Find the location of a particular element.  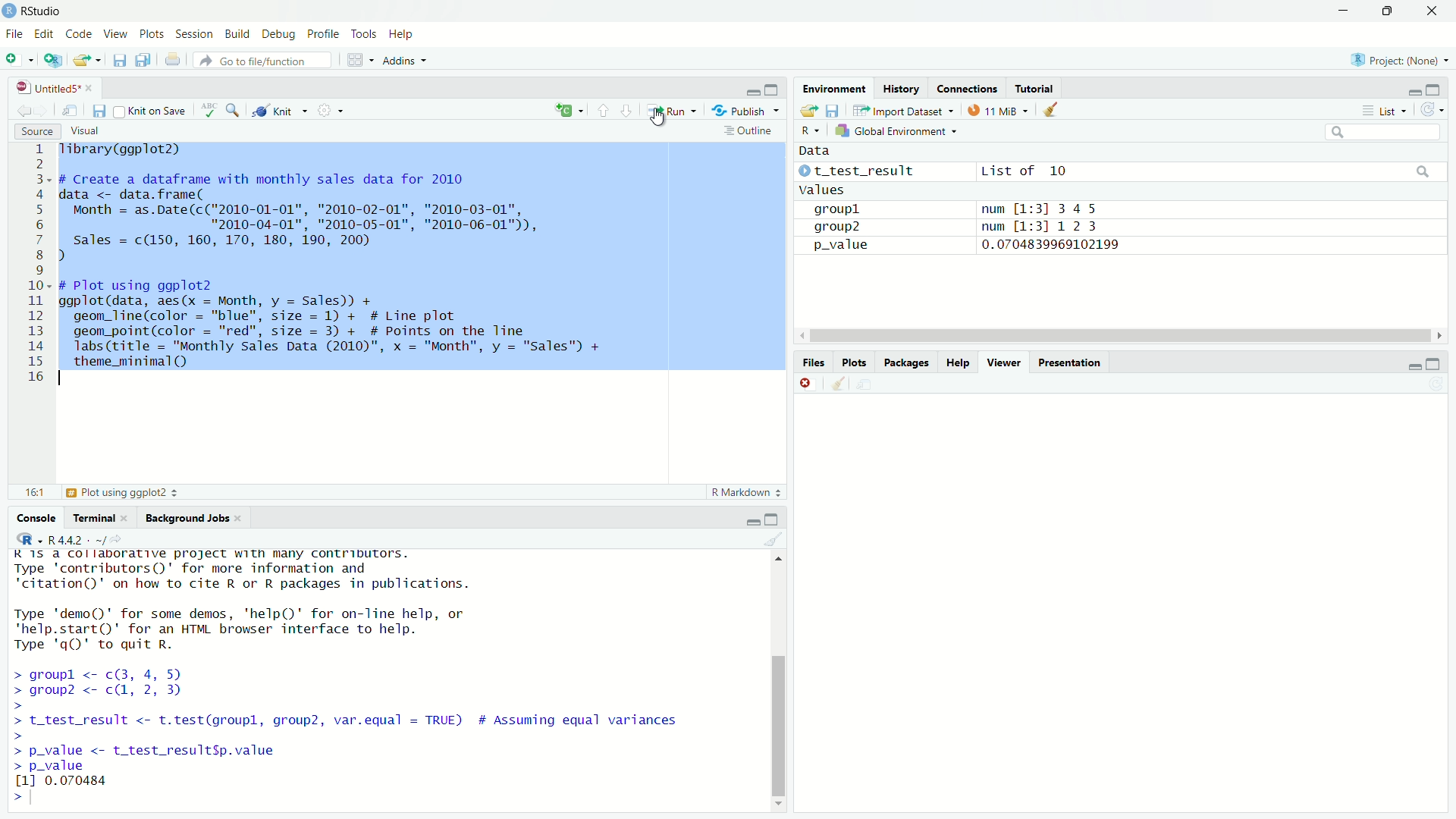

search is located at coordinates (1420, 171).